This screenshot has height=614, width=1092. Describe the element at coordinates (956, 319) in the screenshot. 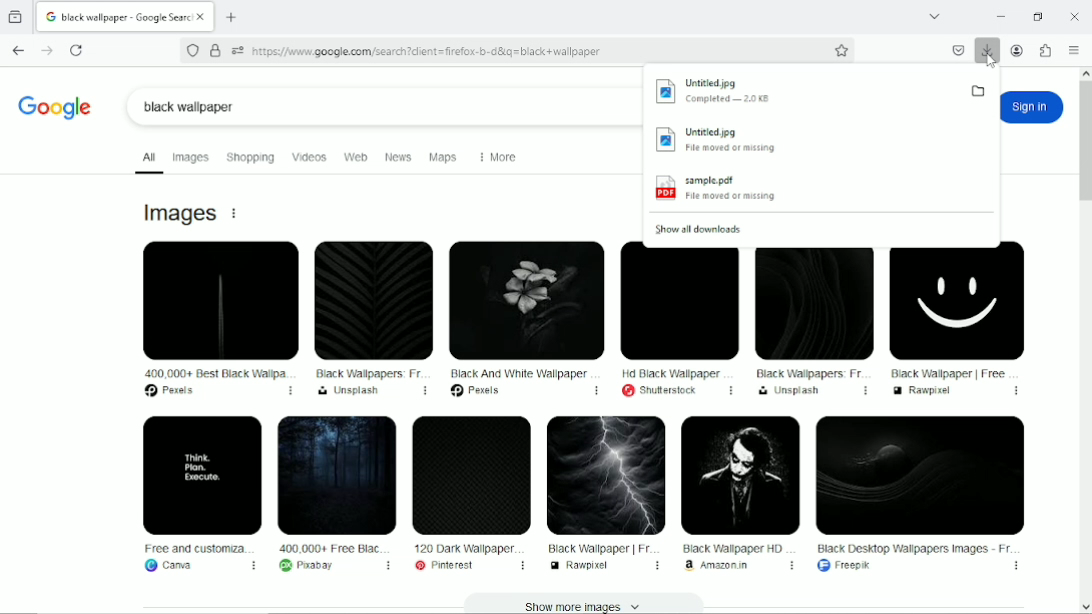

I see `Black Wallpaper | Free...` at that location.